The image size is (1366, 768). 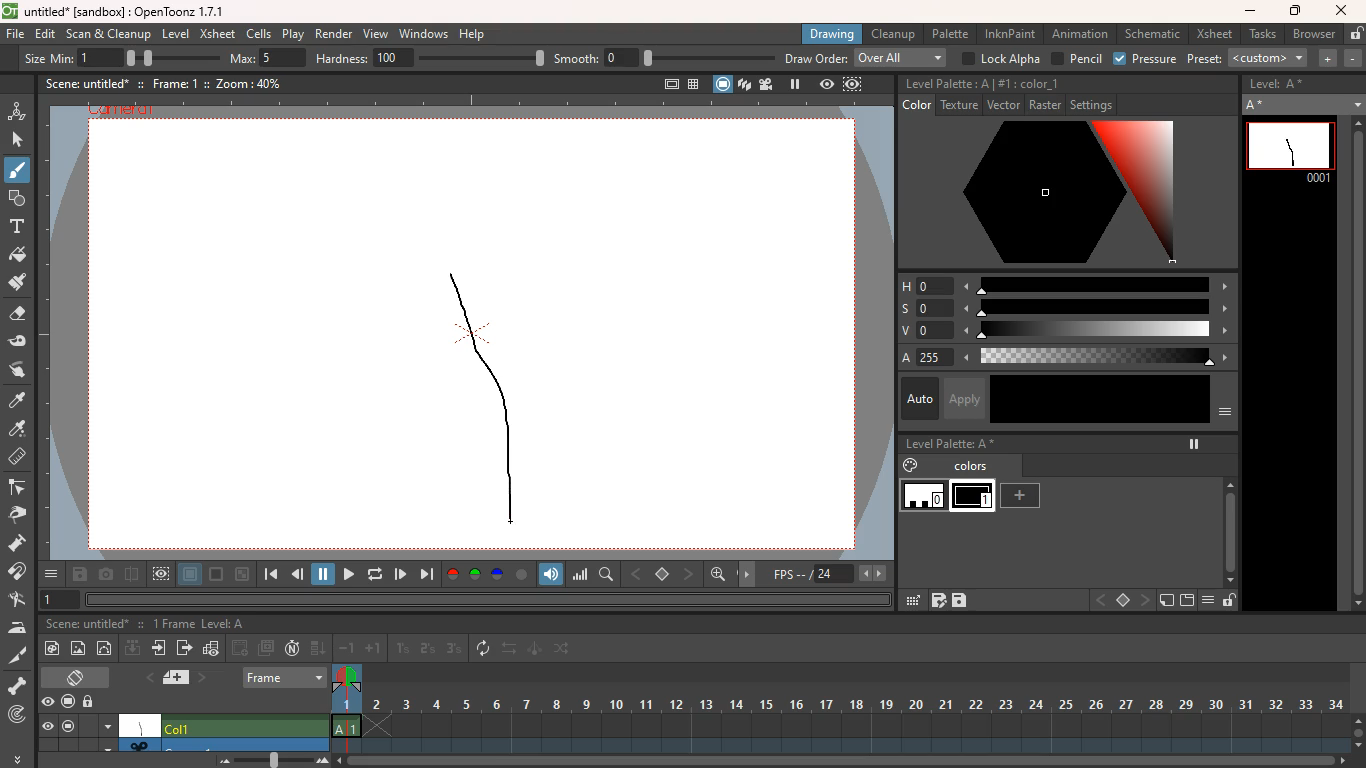 What do you see at coordinates (48, 727) in the screenshot?
I see `eye` at bounding box center [48, 727].